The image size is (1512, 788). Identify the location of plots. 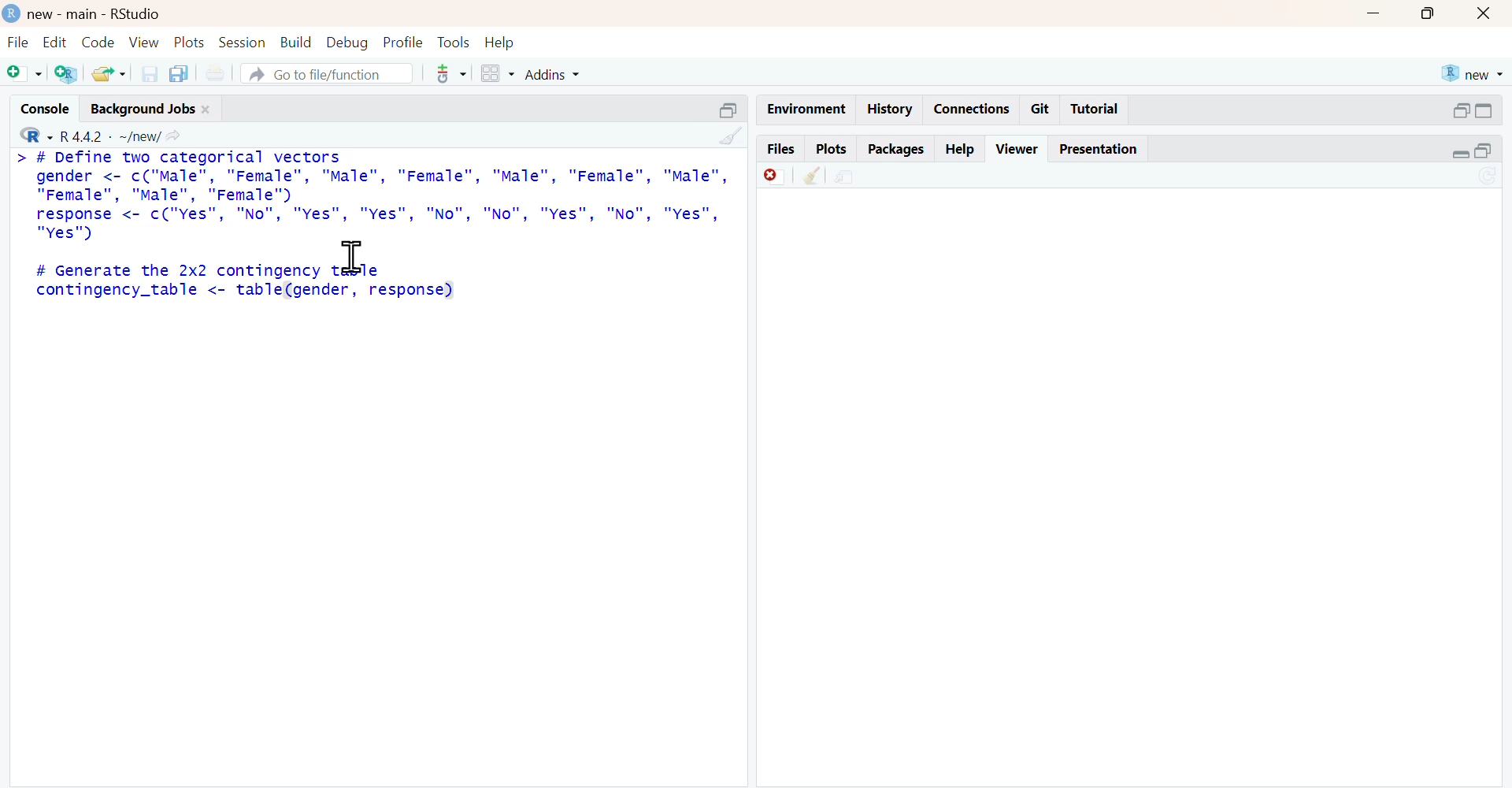
(833, 149).